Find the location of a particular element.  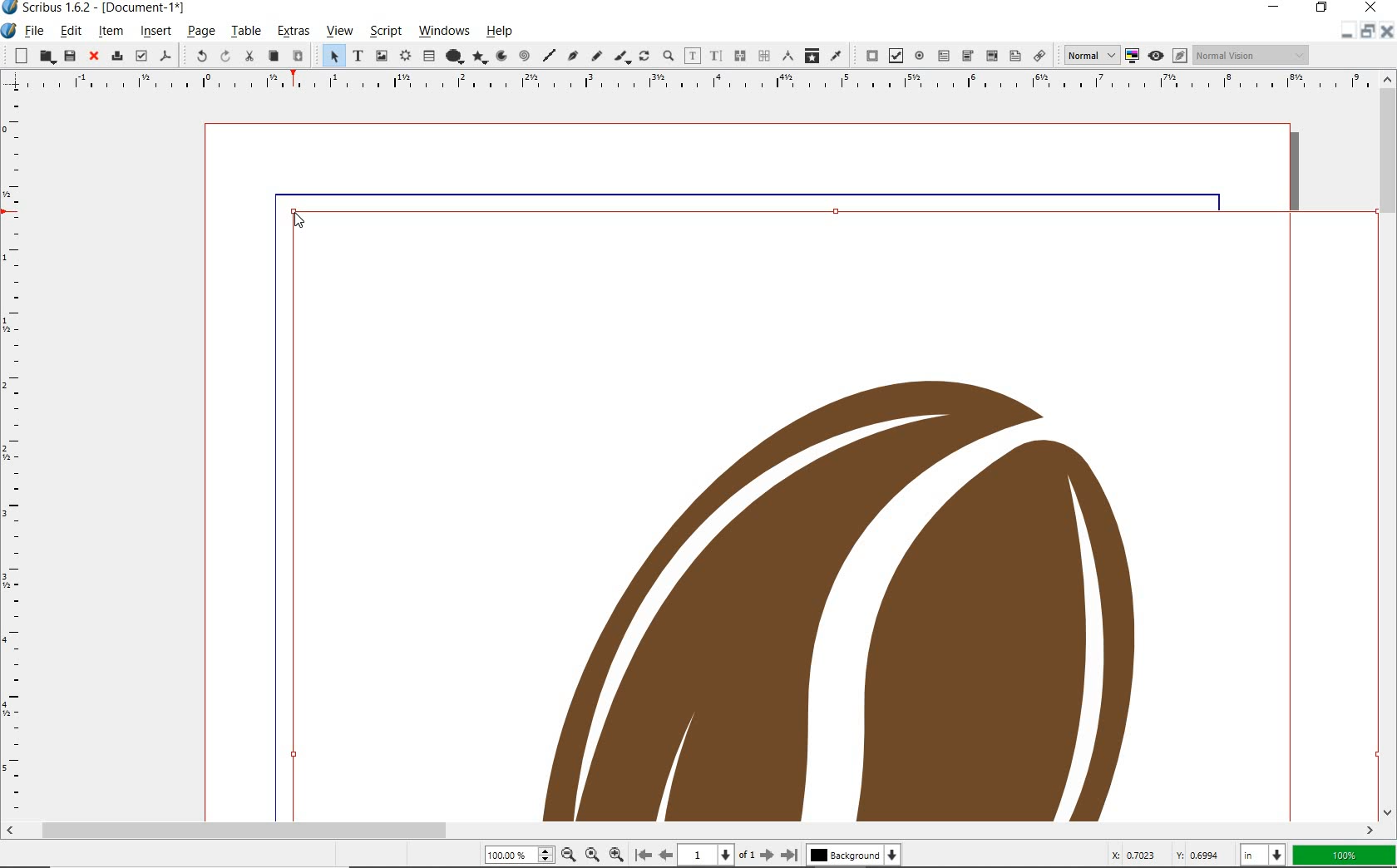

edit text with story editor is located at coordinates (716, 56).